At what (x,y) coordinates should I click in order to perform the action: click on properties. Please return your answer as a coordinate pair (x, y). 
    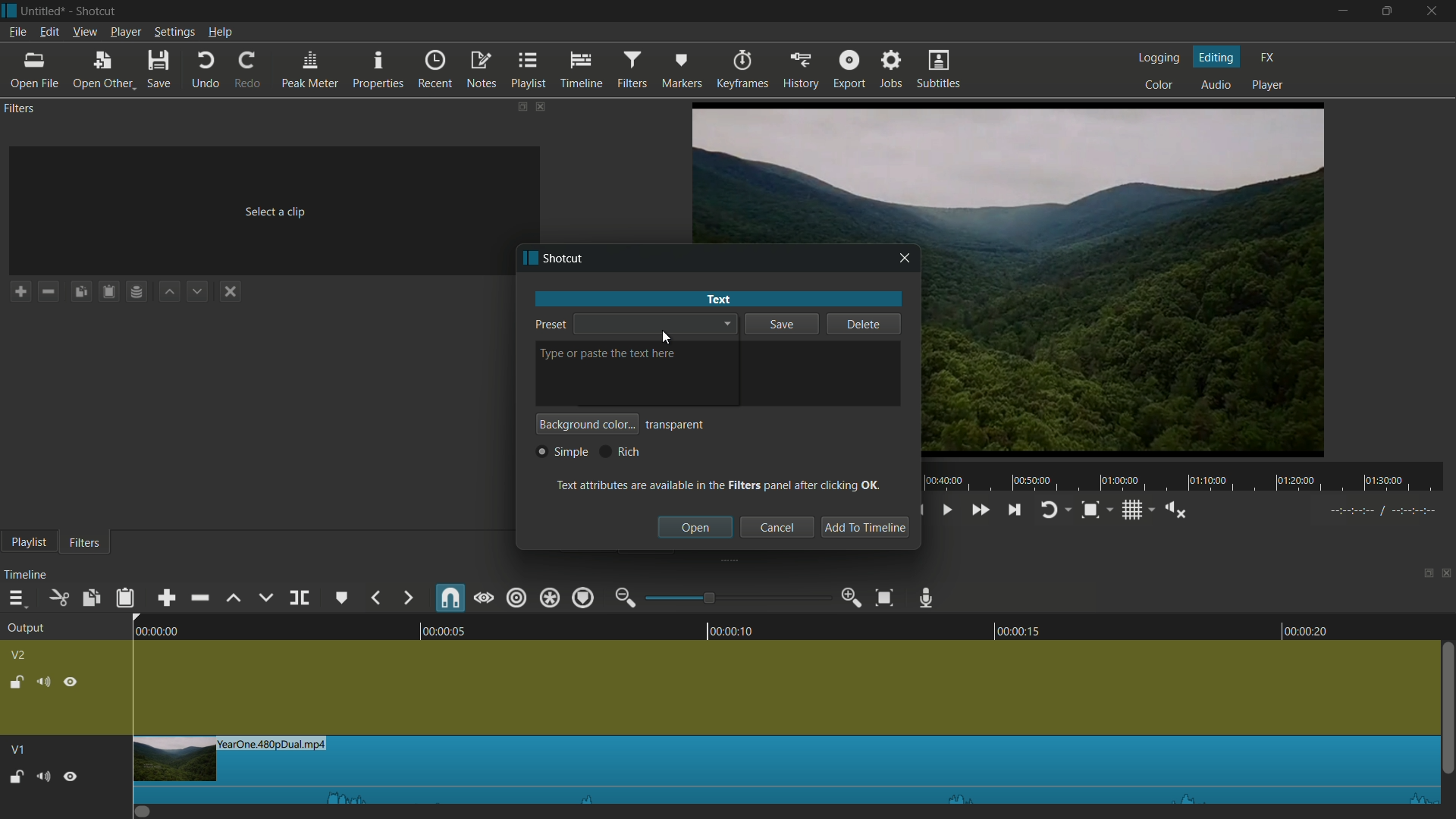
    Looking at the image, I should click on (380, 71).